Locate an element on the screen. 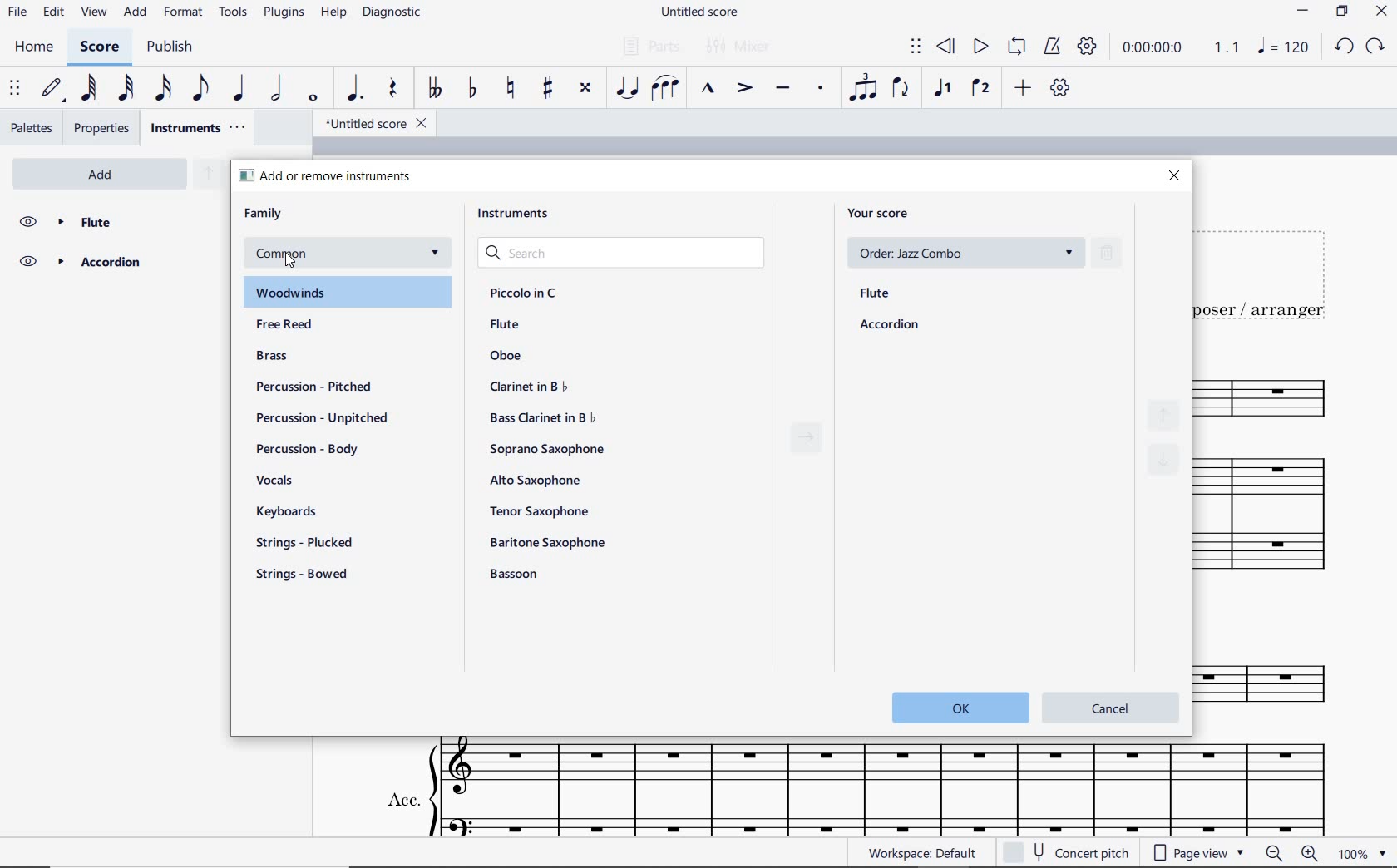 This screenshot has height=868, width=1397. toggle sharp is located at coordinates (547, 89).